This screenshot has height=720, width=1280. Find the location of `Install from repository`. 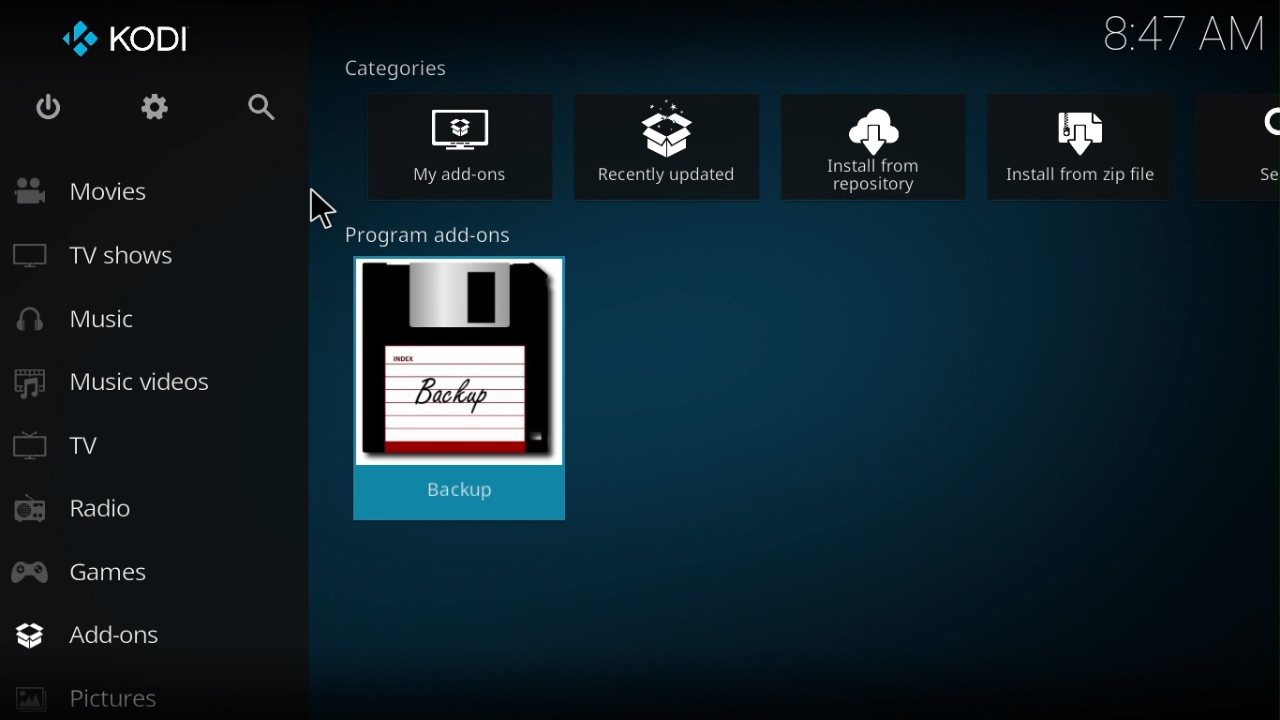

Install from repository is located at coordinates (886, 144).